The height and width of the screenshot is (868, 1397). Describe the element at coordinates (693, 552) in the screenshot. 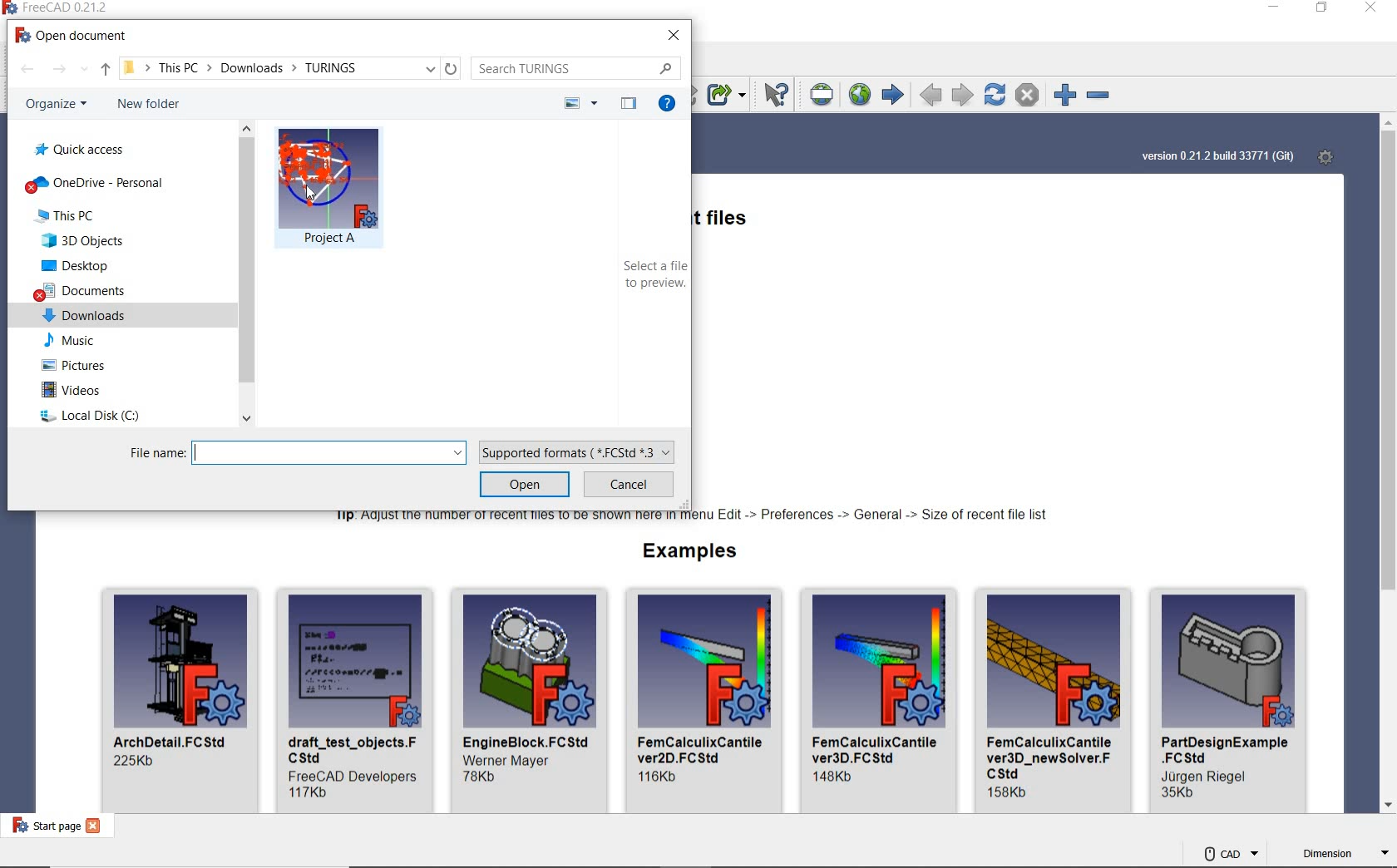

I see `EXAMPLES` at that location.